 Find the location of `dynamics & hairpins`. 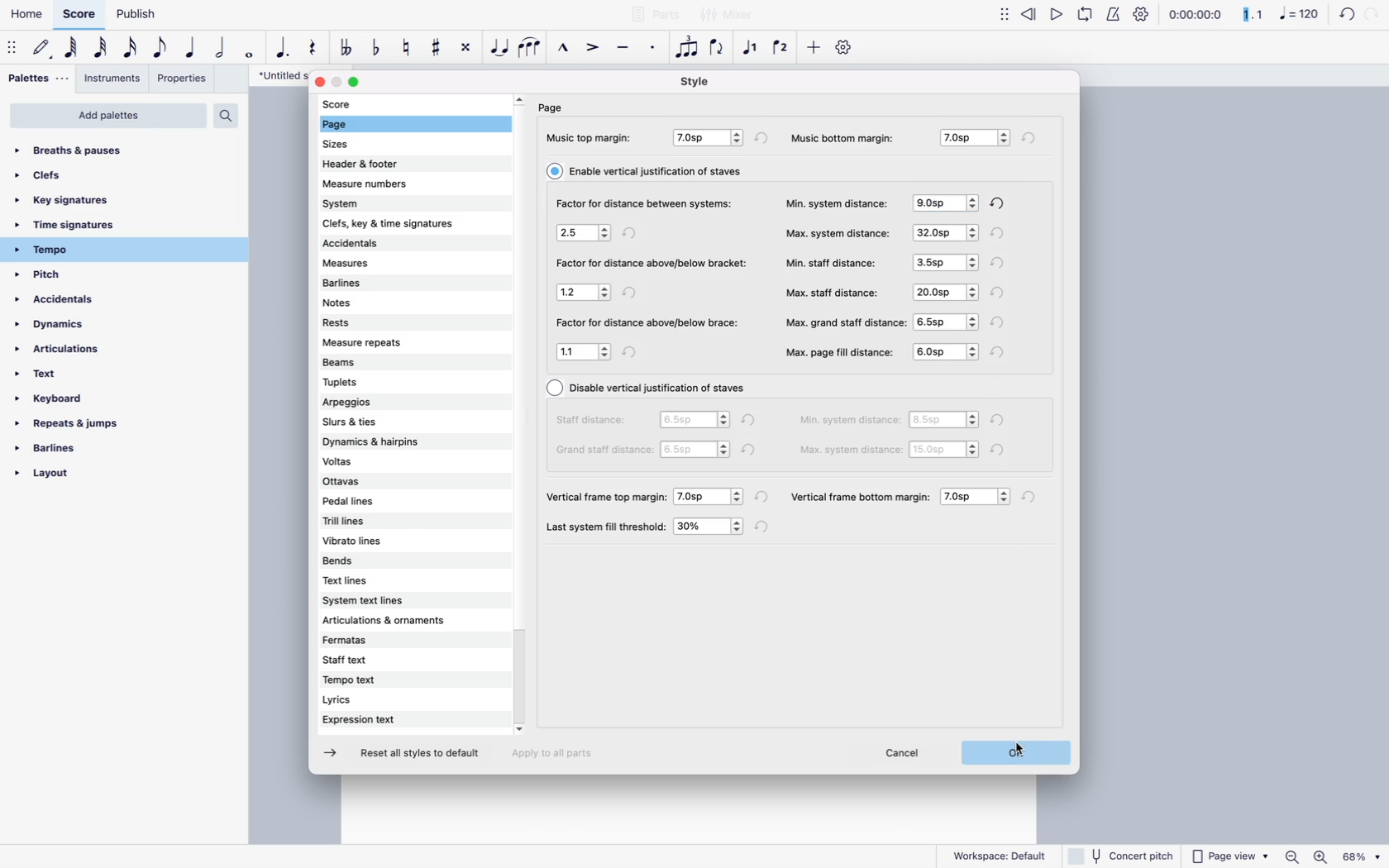

dynamics & hairpins is located at coordinates (391, 441).